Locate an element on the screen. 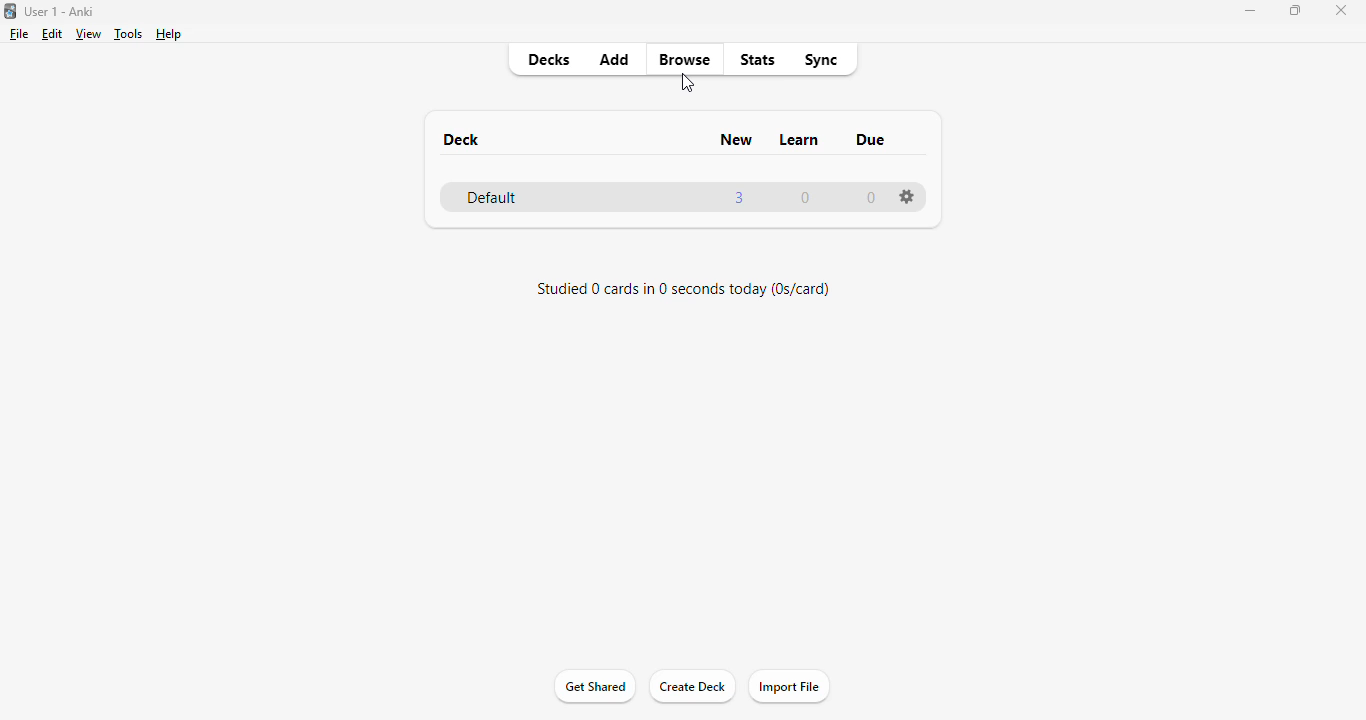 This screenshot has width=1366, height=720. stats is located at coordinates (759, 60).